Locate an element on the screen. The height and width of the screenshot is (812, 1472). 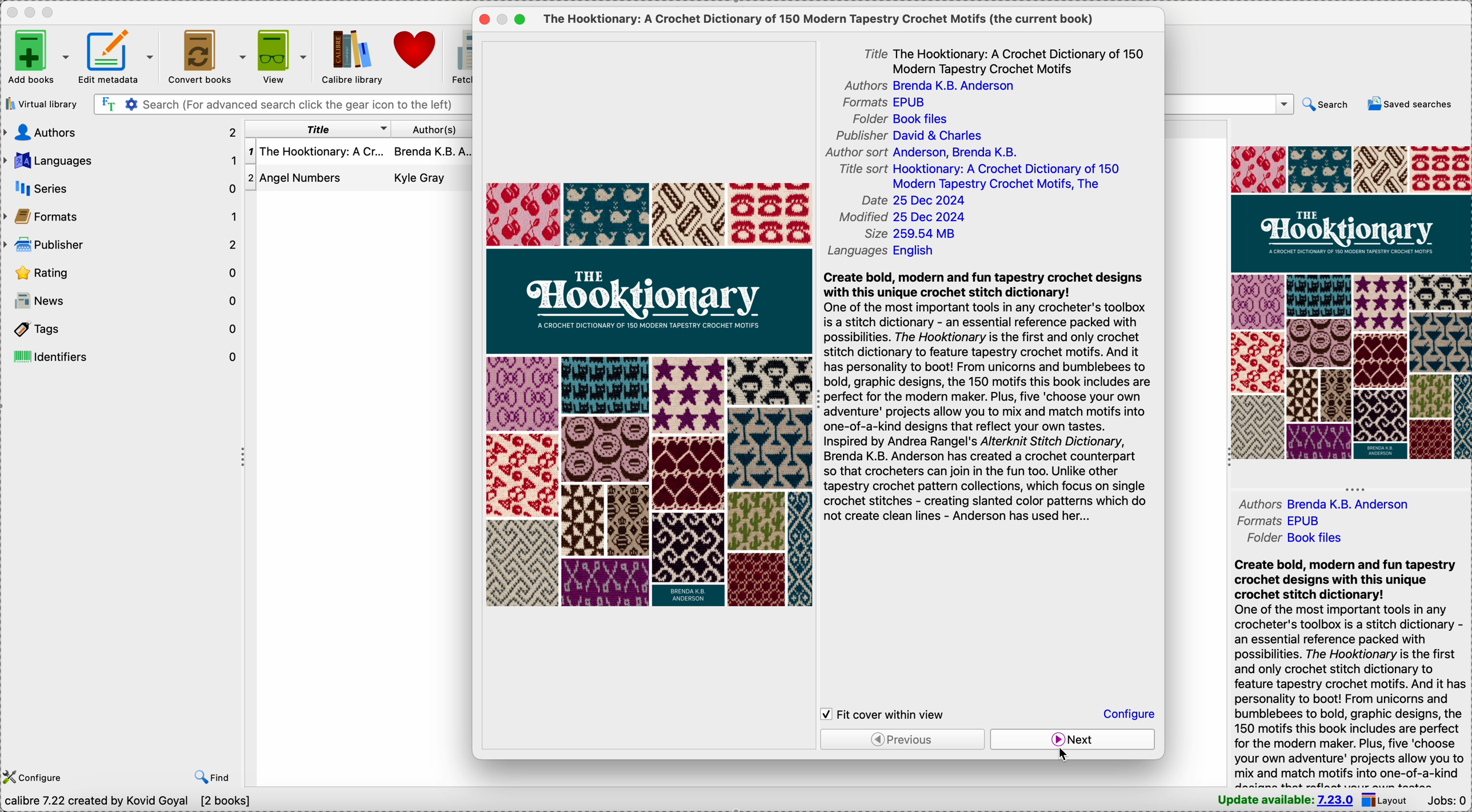
book cover preview is located at coordinates (646, 394).